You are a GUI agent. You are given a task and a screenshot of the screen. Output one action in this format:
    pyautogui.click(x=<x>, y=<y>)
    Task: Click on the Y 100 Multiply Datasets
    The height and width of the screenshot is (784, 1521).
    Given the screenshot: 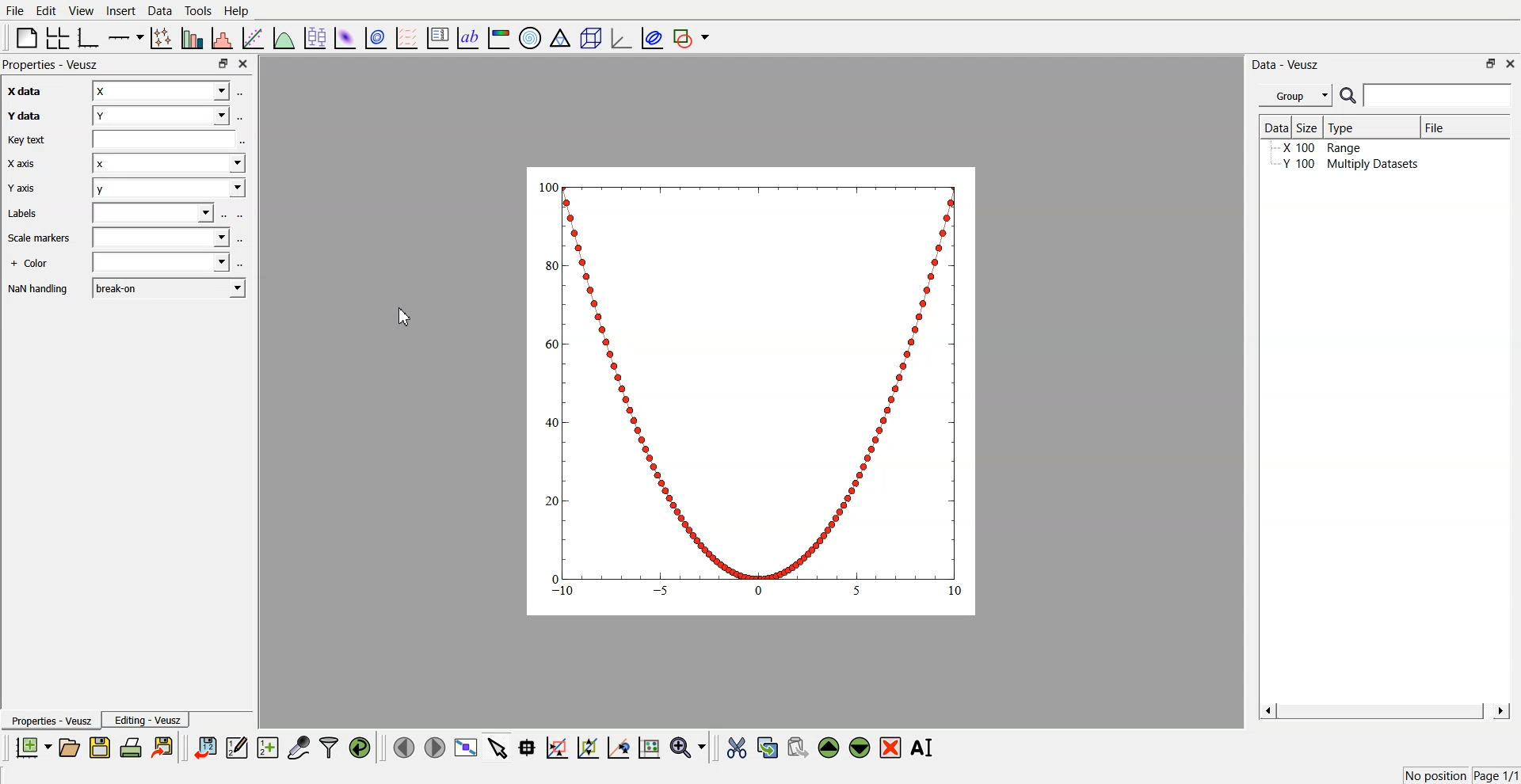 What is the action you would take?
    pyautogui.click(x=1345, y=166)
    